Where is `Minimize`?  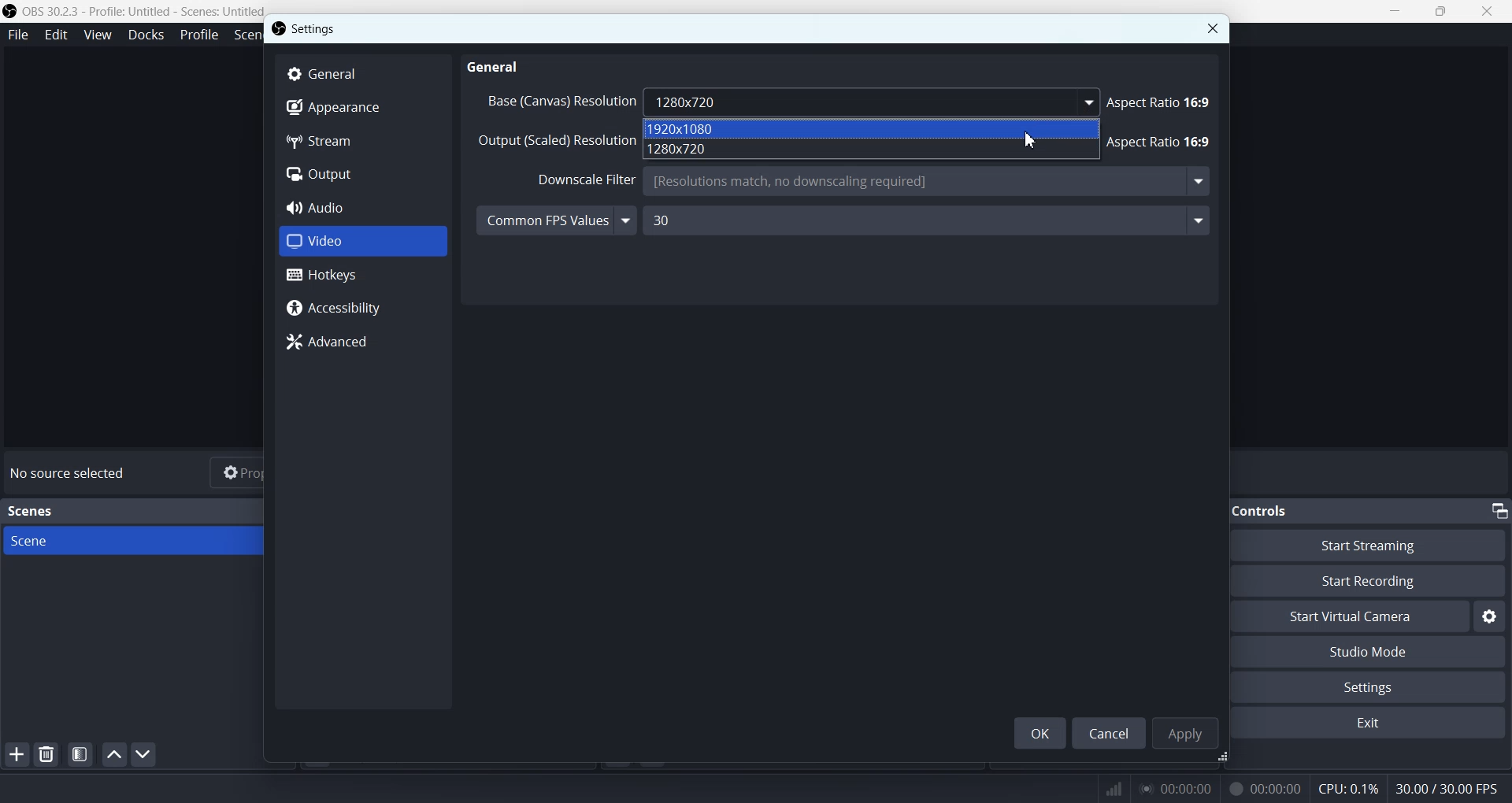 Minimize is located at coordinates (1499, 510).